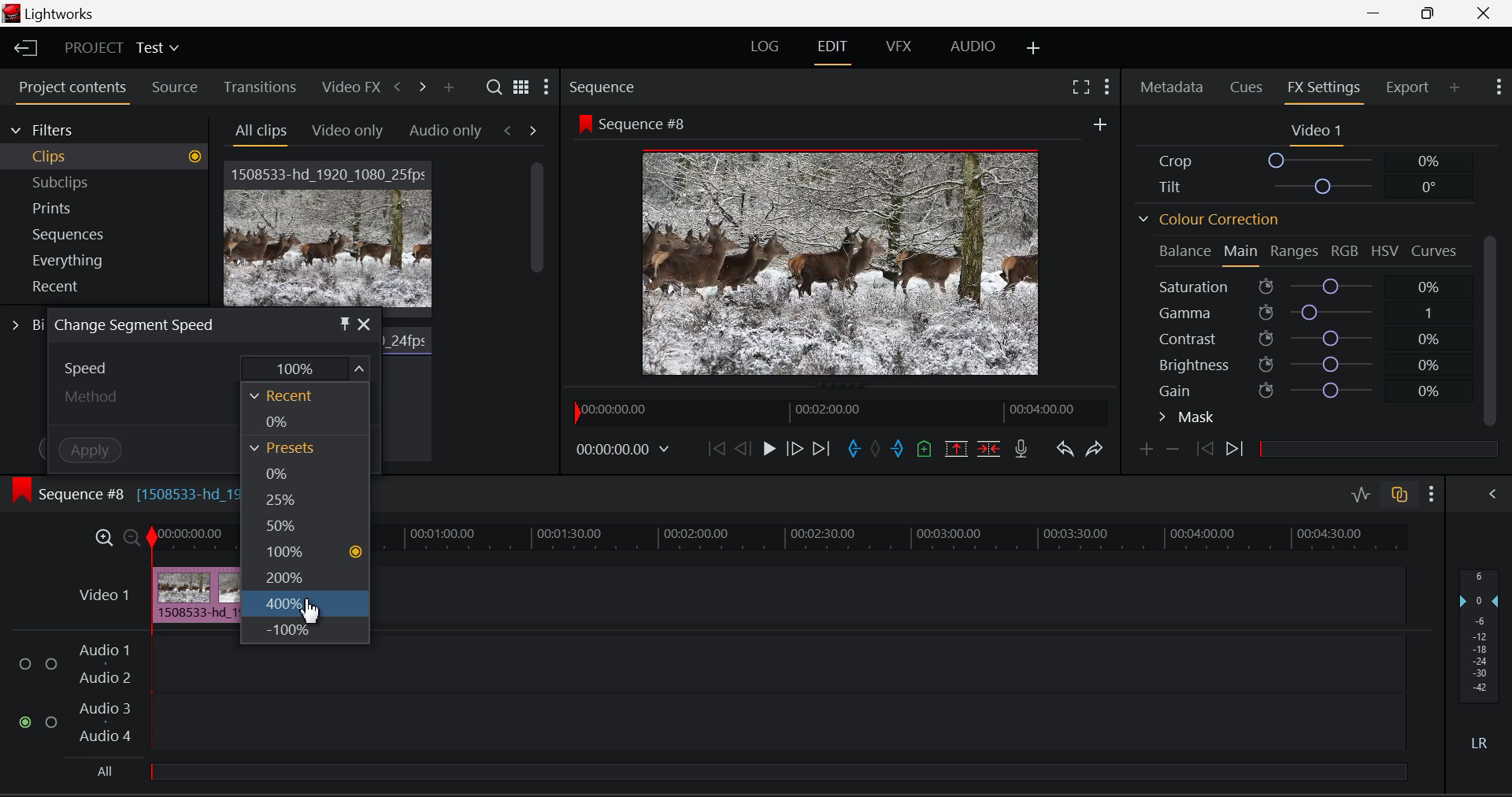 This screenshot has width=1512, height=797. I want to click on Decibel Level, so click(1482, 635).